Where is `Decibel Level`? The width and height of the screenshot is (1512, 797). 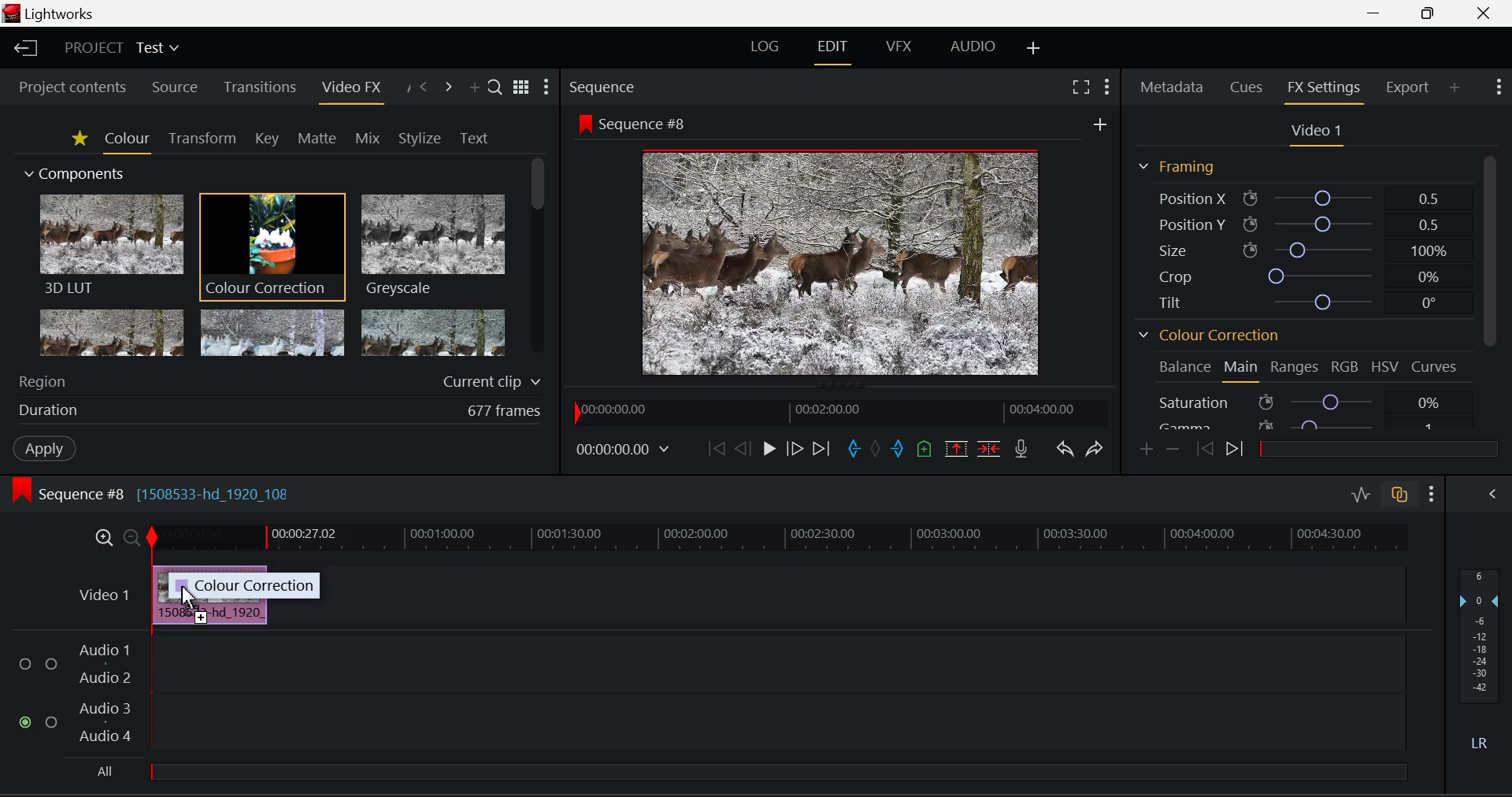 Decibel Level is located at coordinates (1484, 662).